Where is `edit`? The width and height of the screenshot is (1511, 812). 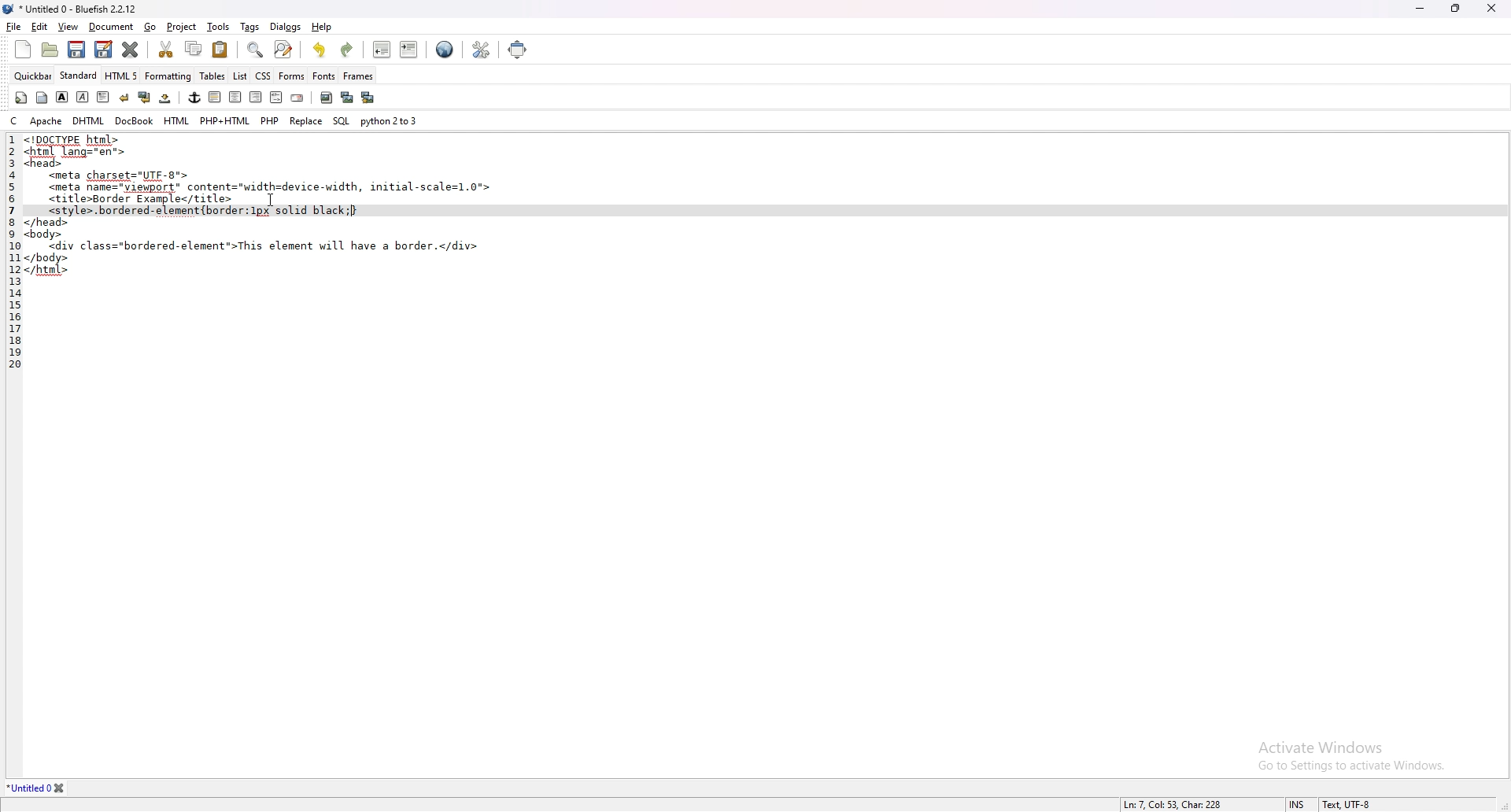 edit is located at coordinates (39, 28).